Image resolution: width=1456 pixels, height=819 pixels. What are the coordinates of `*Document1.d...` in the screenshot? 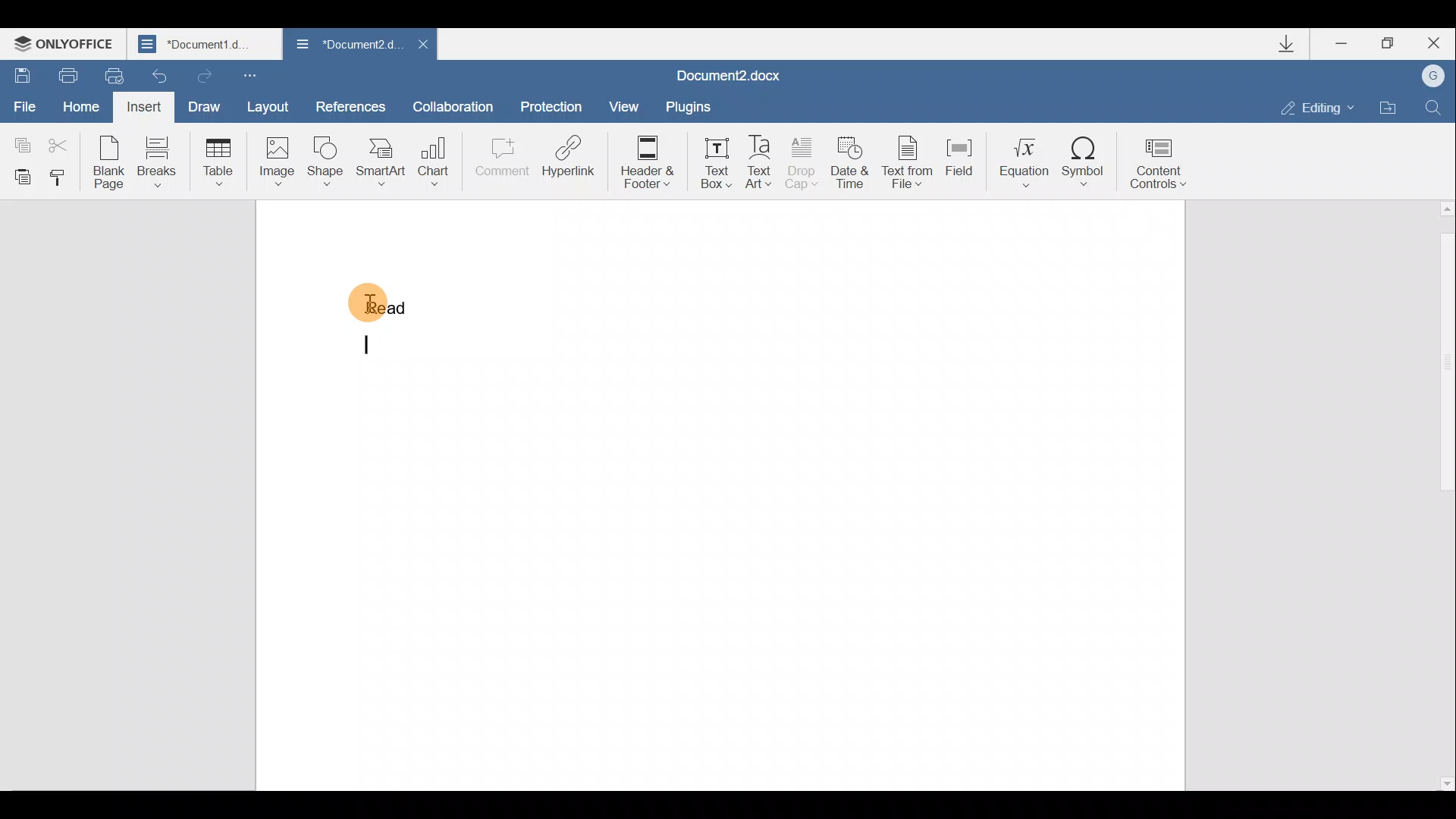 It's located at (206, 45).